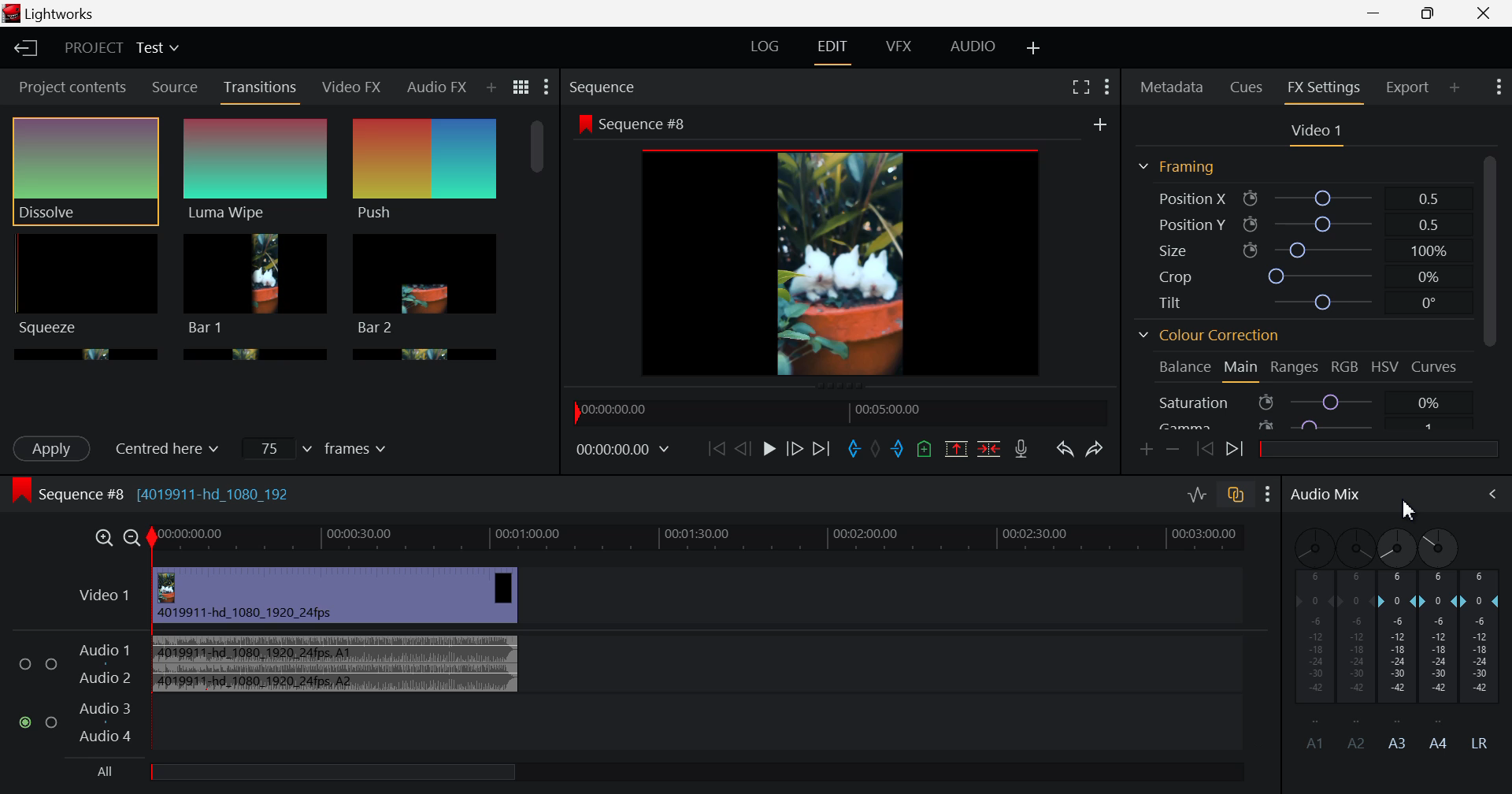 This screenshot has height=794, width=1512. What do you see at coordinates (1299, 304) in the screenshot?
I see `Tilt` at bounding box center [1299, 304].